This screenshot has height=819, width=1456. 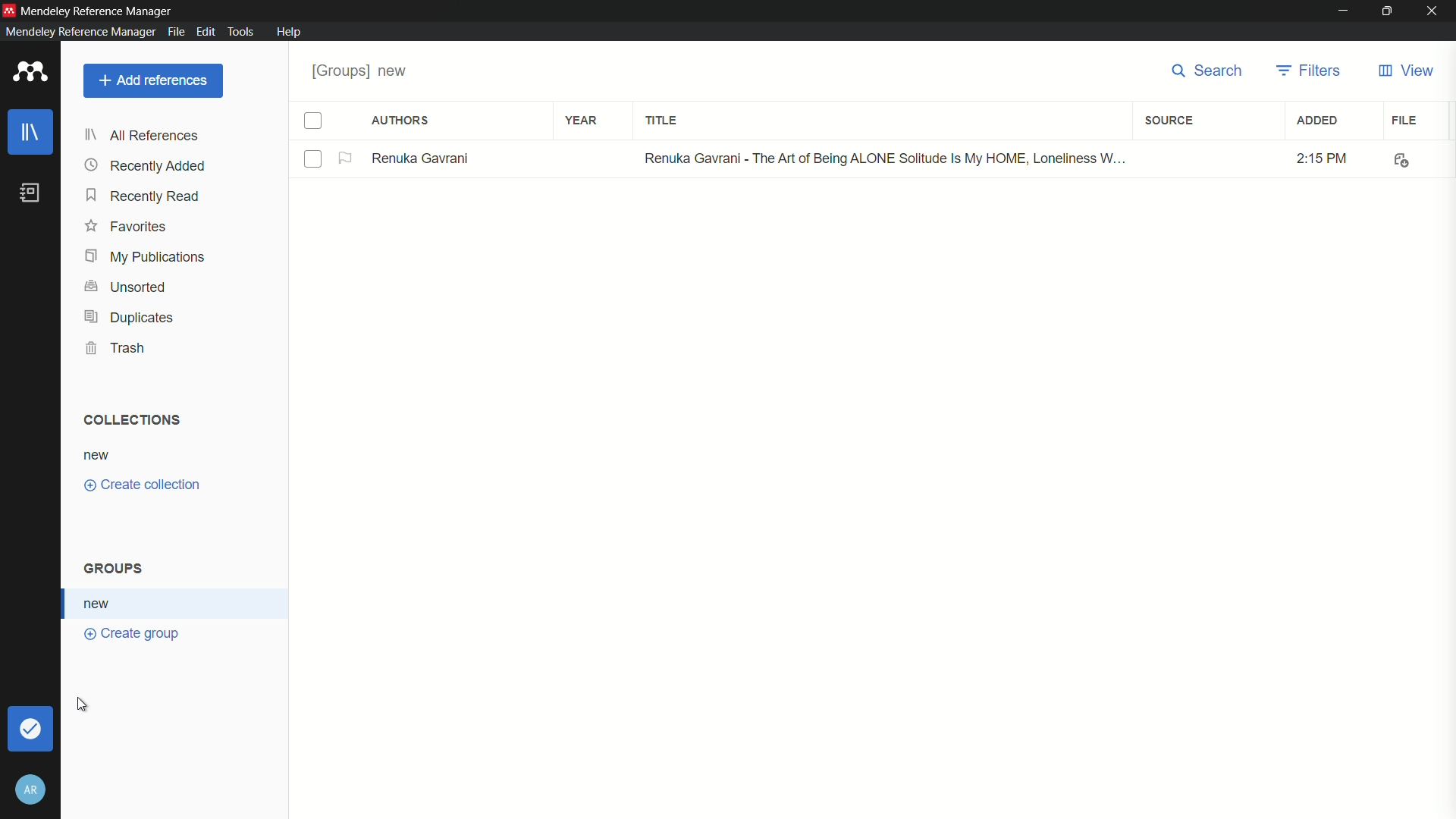 What do you see at coordinates (1319, 121) in the screenshot?
I see `added` at bounding box center [1319, 121].